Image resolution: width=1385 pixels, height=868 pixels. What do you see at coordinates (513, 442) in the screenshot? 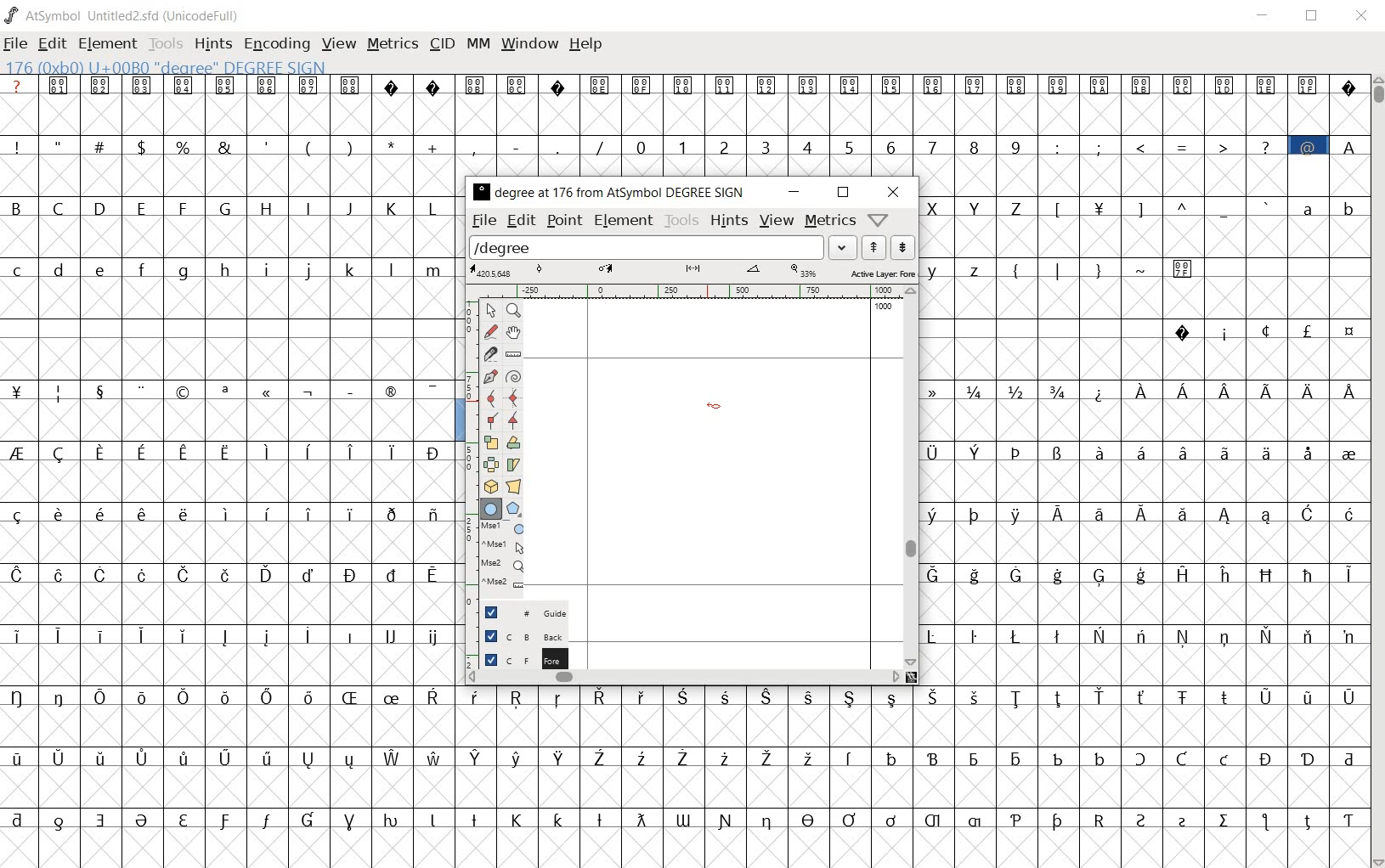
I see `Rotate the selection` at bounding box center [513, 442].